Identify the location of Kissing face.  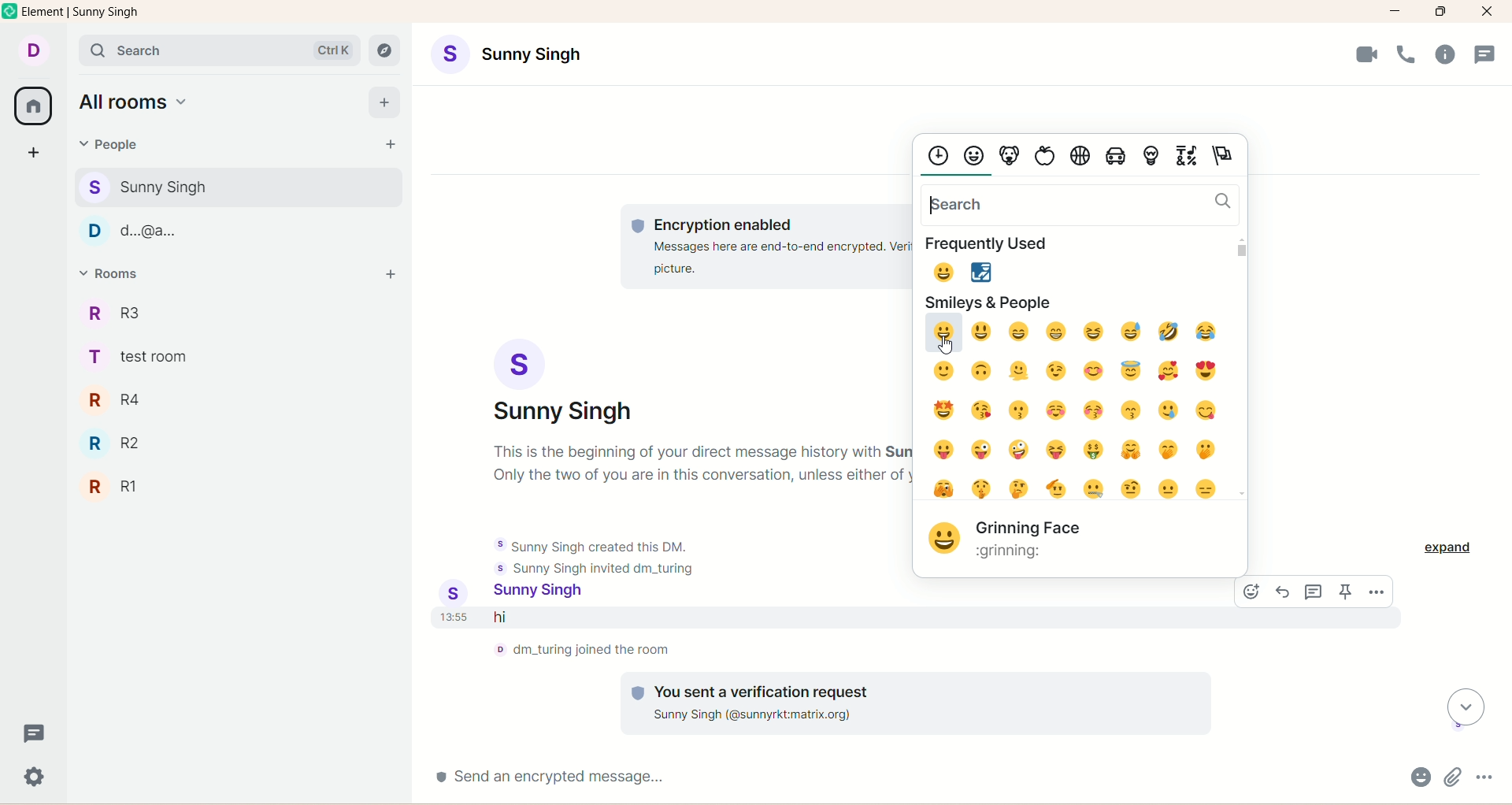
(1020, 410).